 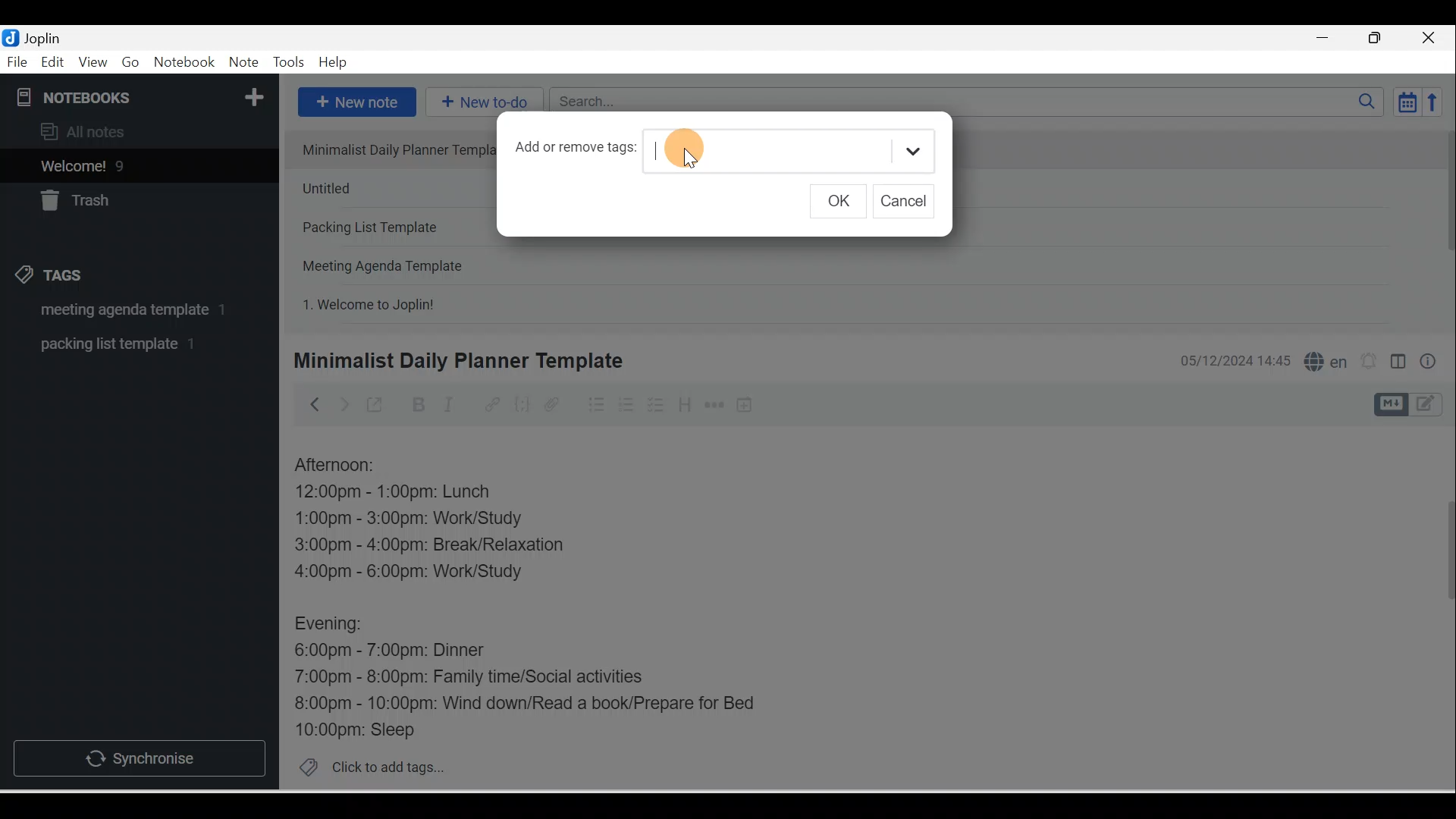 What do you see at coordinates (54, 278) in the screenshot?
I see `Tags` at bounding box center [54, 278].